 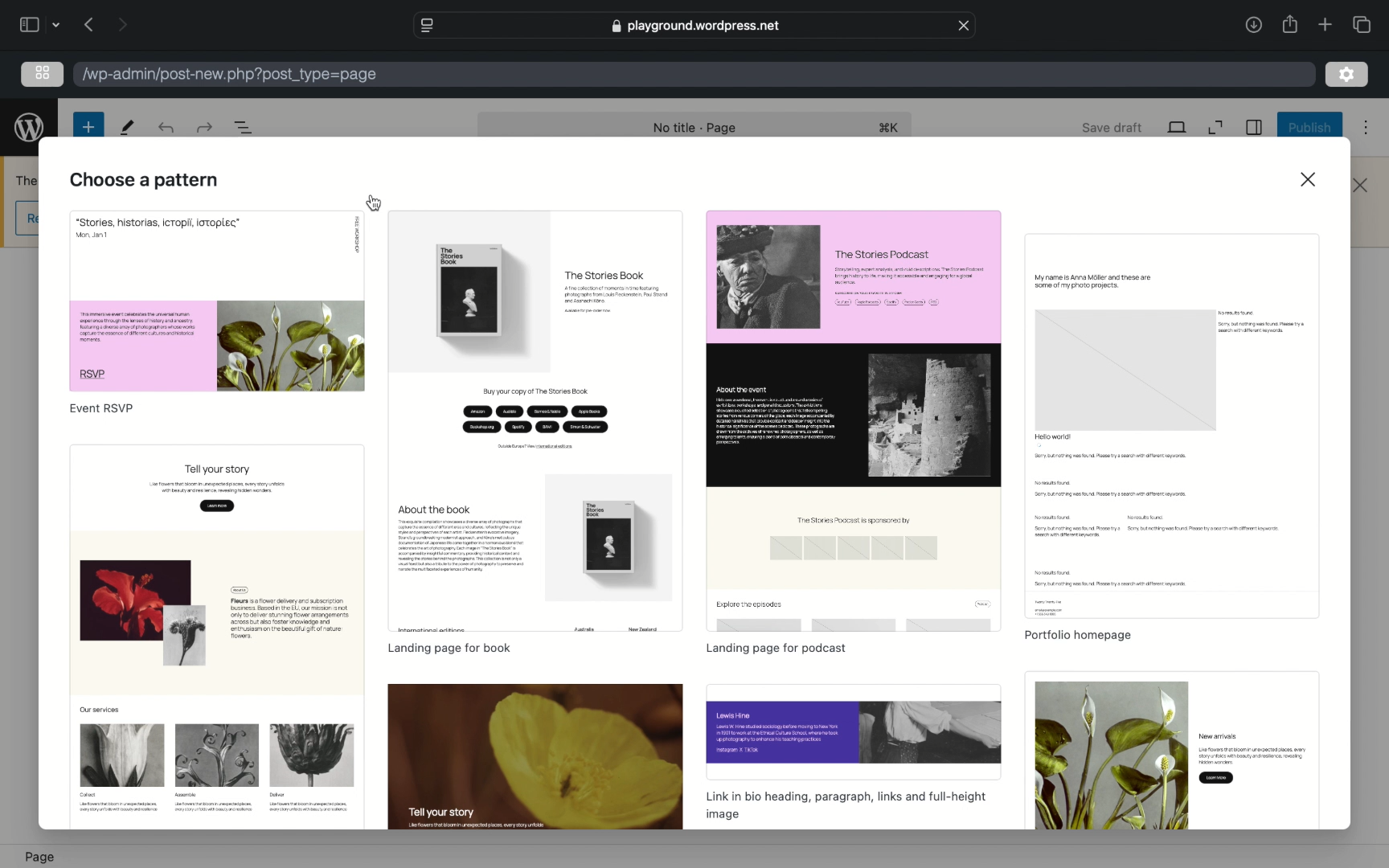 What do you see at coordinates (229, 76) in the screenshot?
I see `wordpress address` at bounding box center [229, 76].